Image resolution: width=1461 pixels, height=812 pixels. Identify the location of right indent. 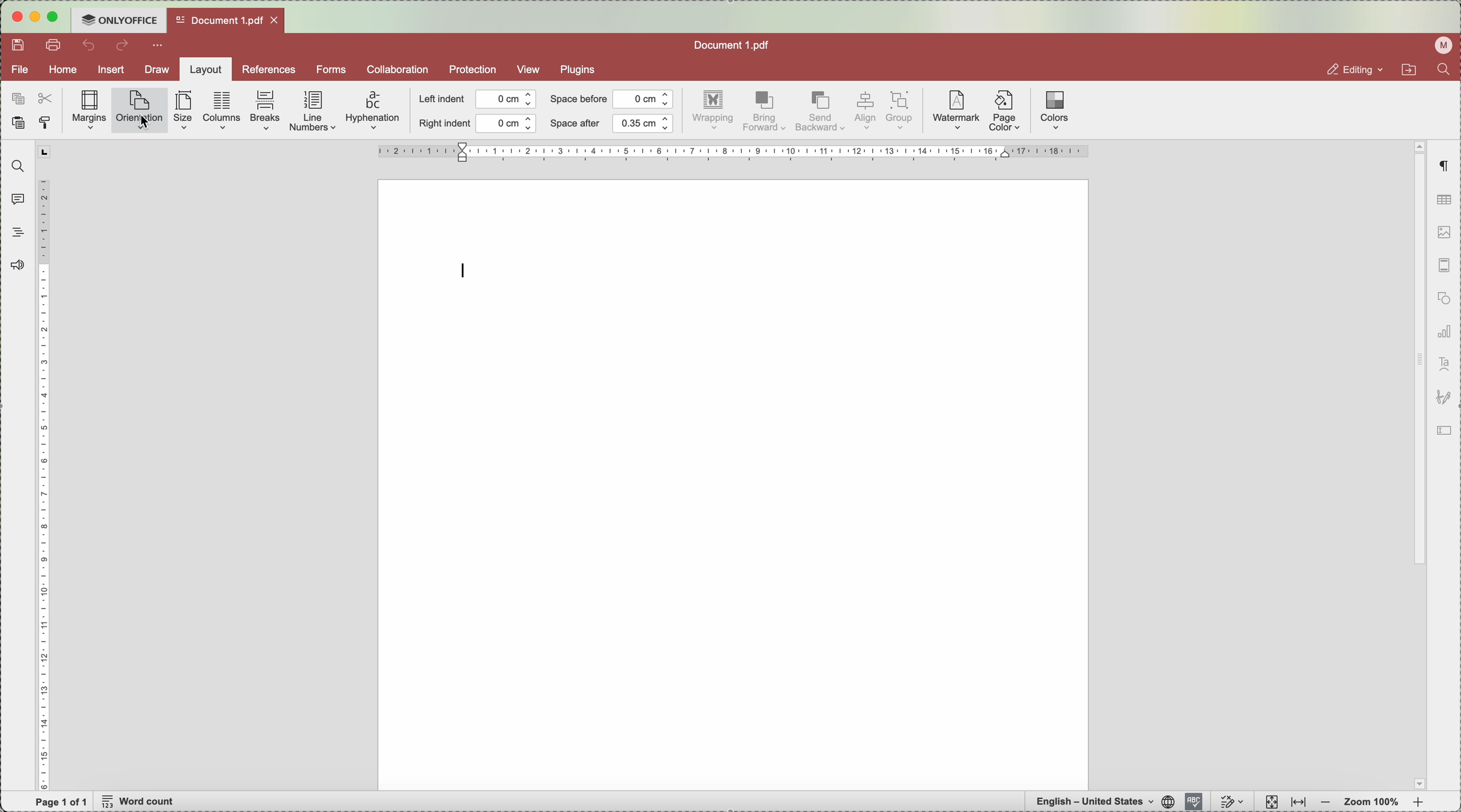
(477, 124).